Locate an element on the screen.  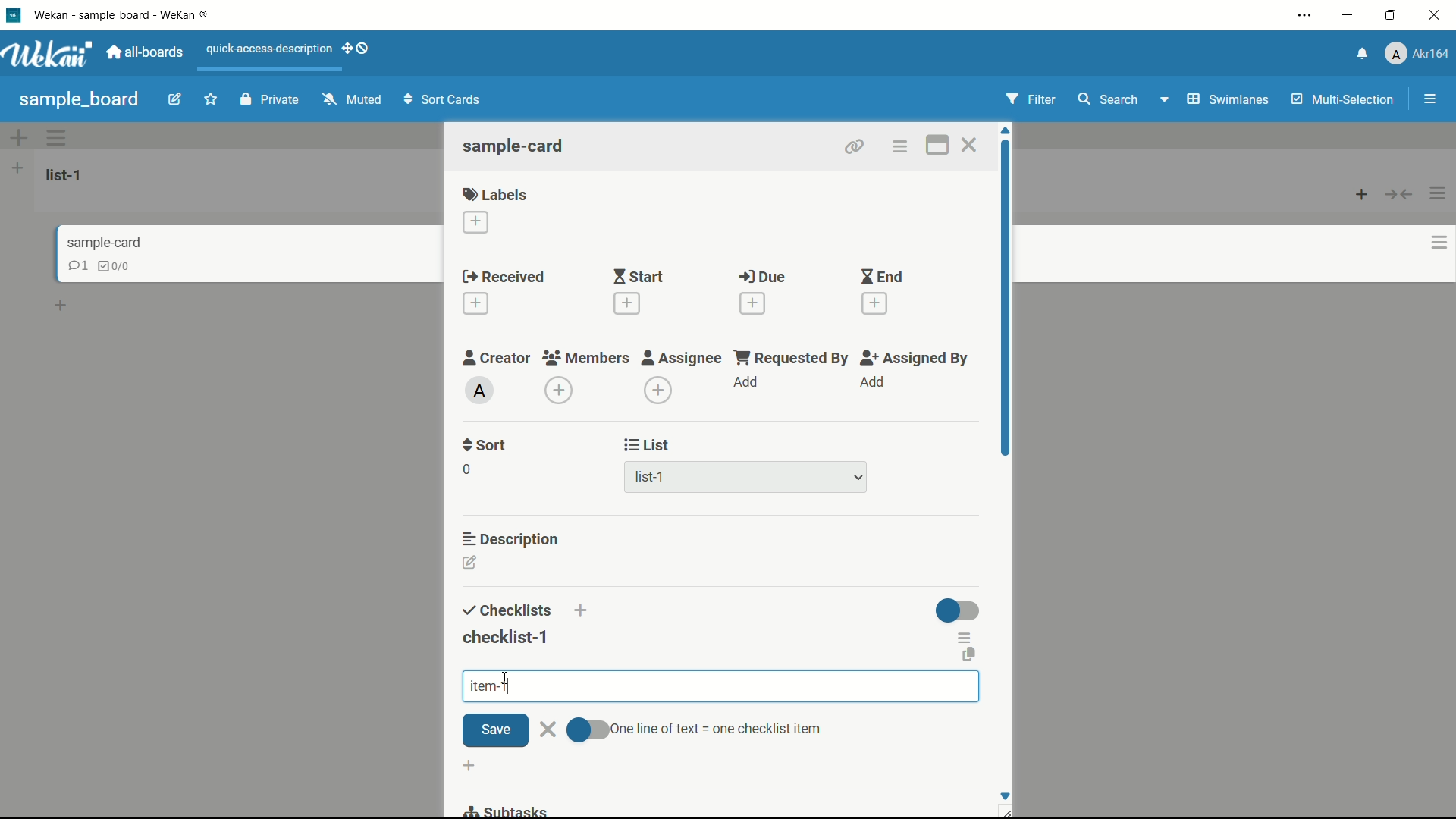
button is located at coordinates (1403, 193).